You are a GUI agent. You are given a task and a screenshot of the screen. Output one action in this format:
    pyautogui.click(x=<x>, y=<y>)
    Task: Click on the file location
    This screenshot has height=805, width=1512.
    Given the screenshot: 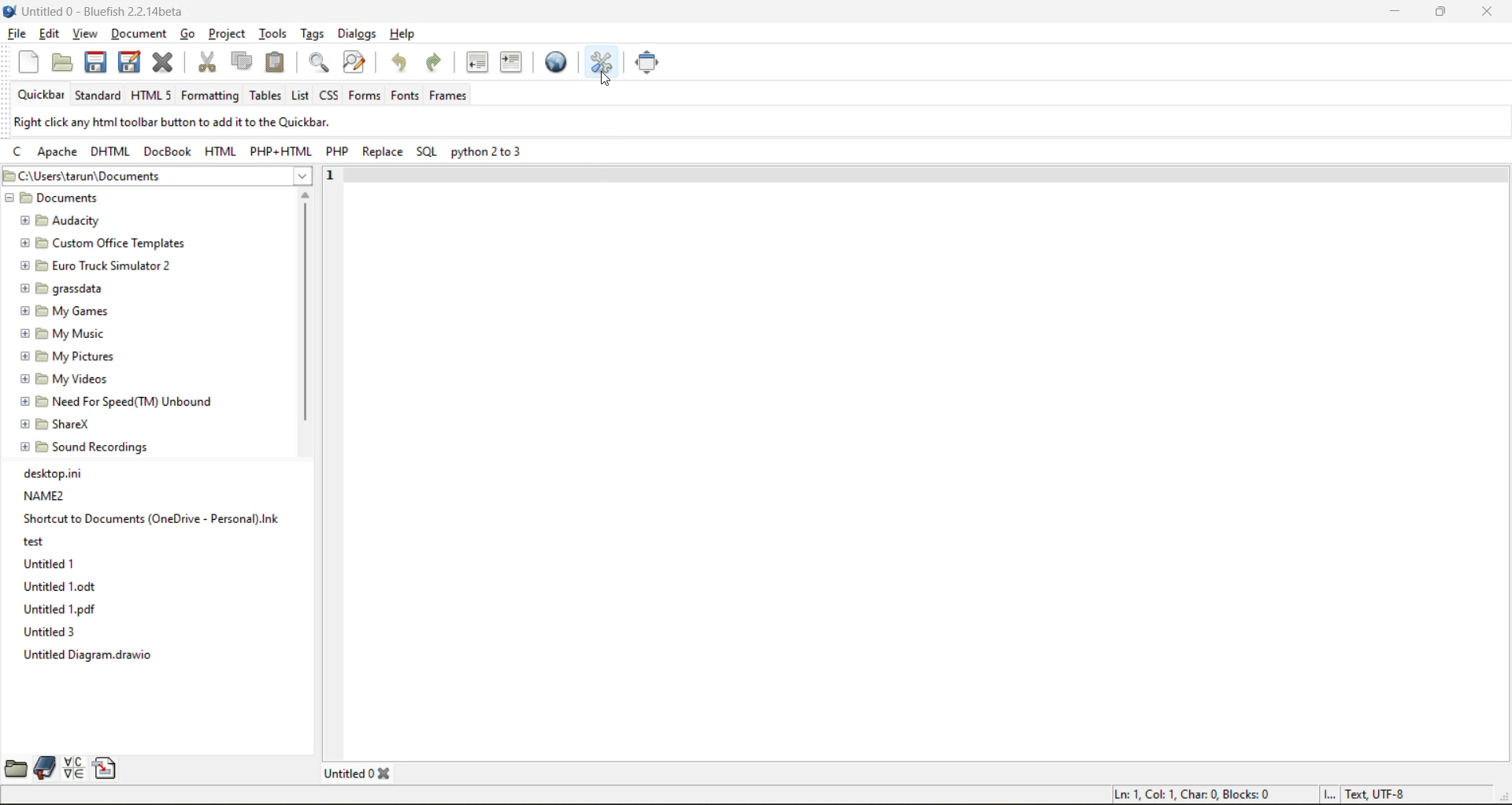 What is the action you would take?
    pyautogui.click(x=154, y=178)
    